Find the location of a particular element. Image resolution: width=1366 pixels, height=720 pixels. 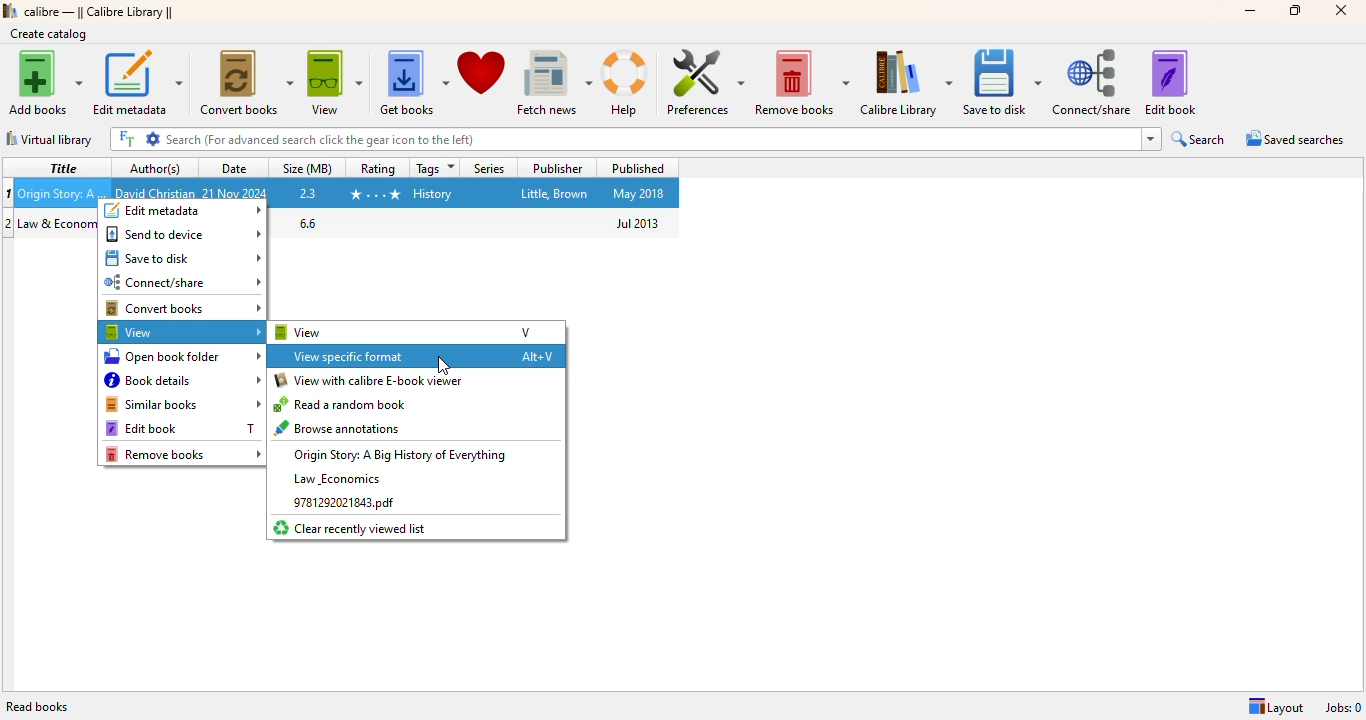

search is located at coordinates (651, 139).